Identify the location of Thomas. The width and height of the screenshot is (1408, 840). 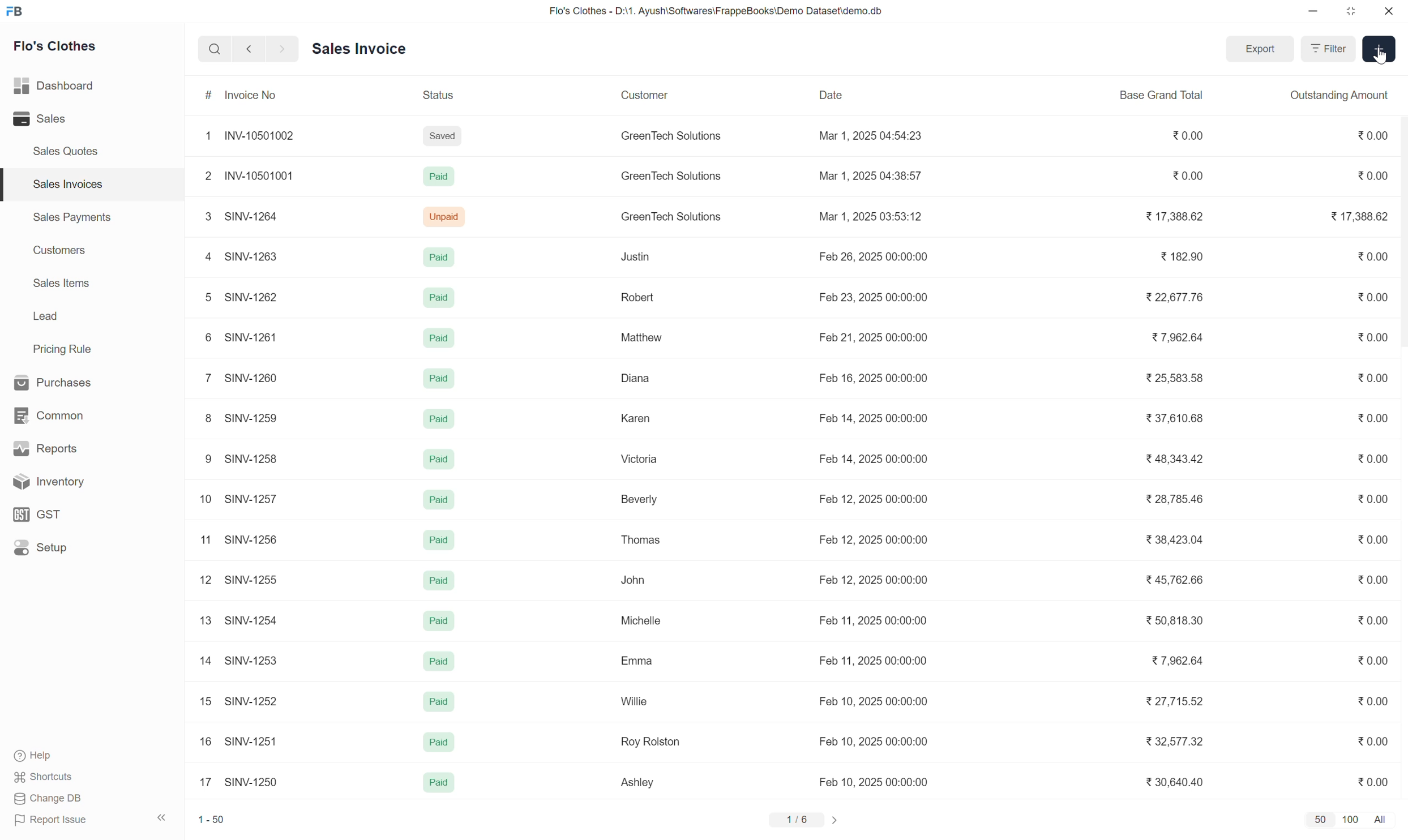
(640, 540).